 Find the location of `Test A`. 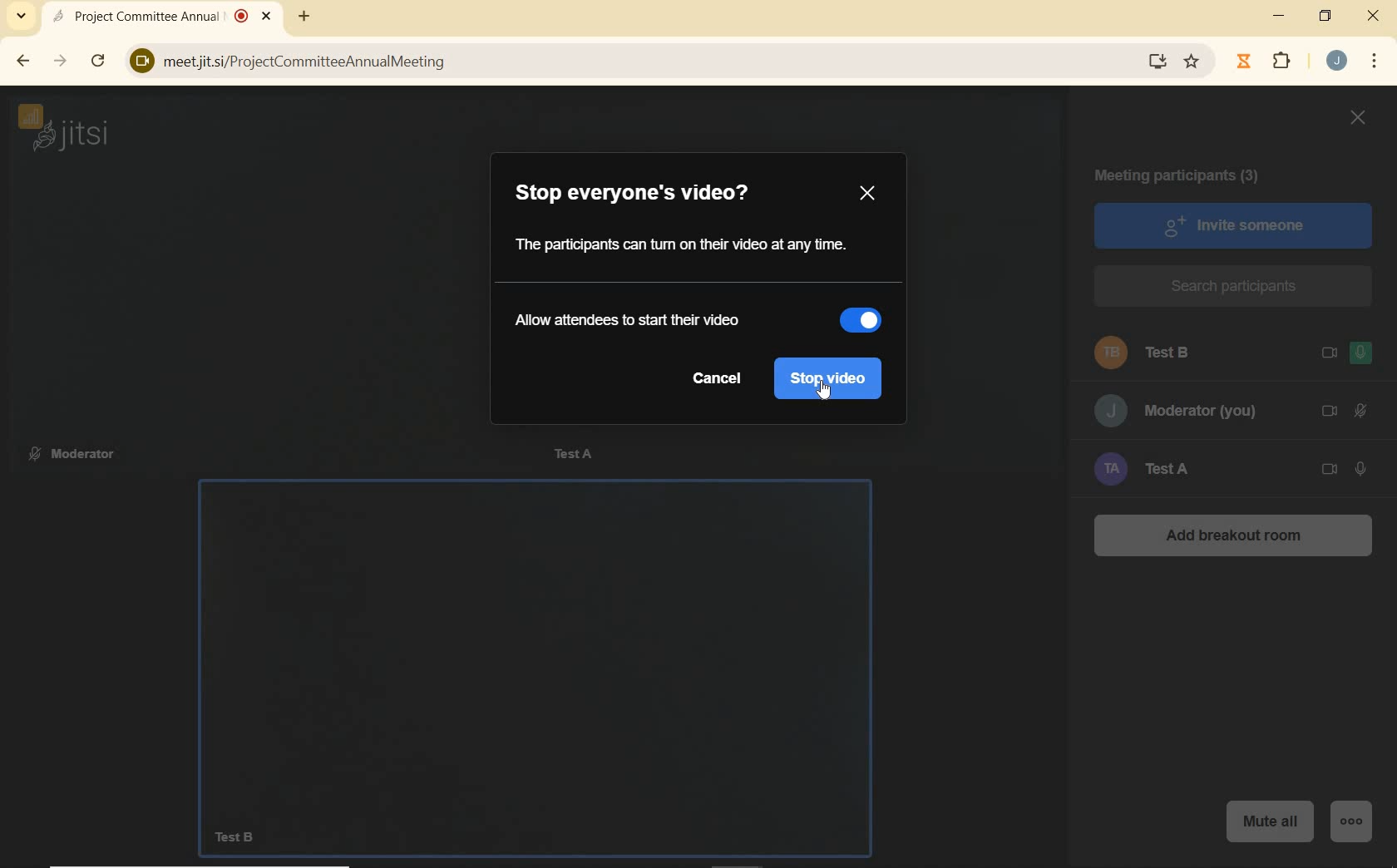

Test A is located at coordinates (1169, 472).